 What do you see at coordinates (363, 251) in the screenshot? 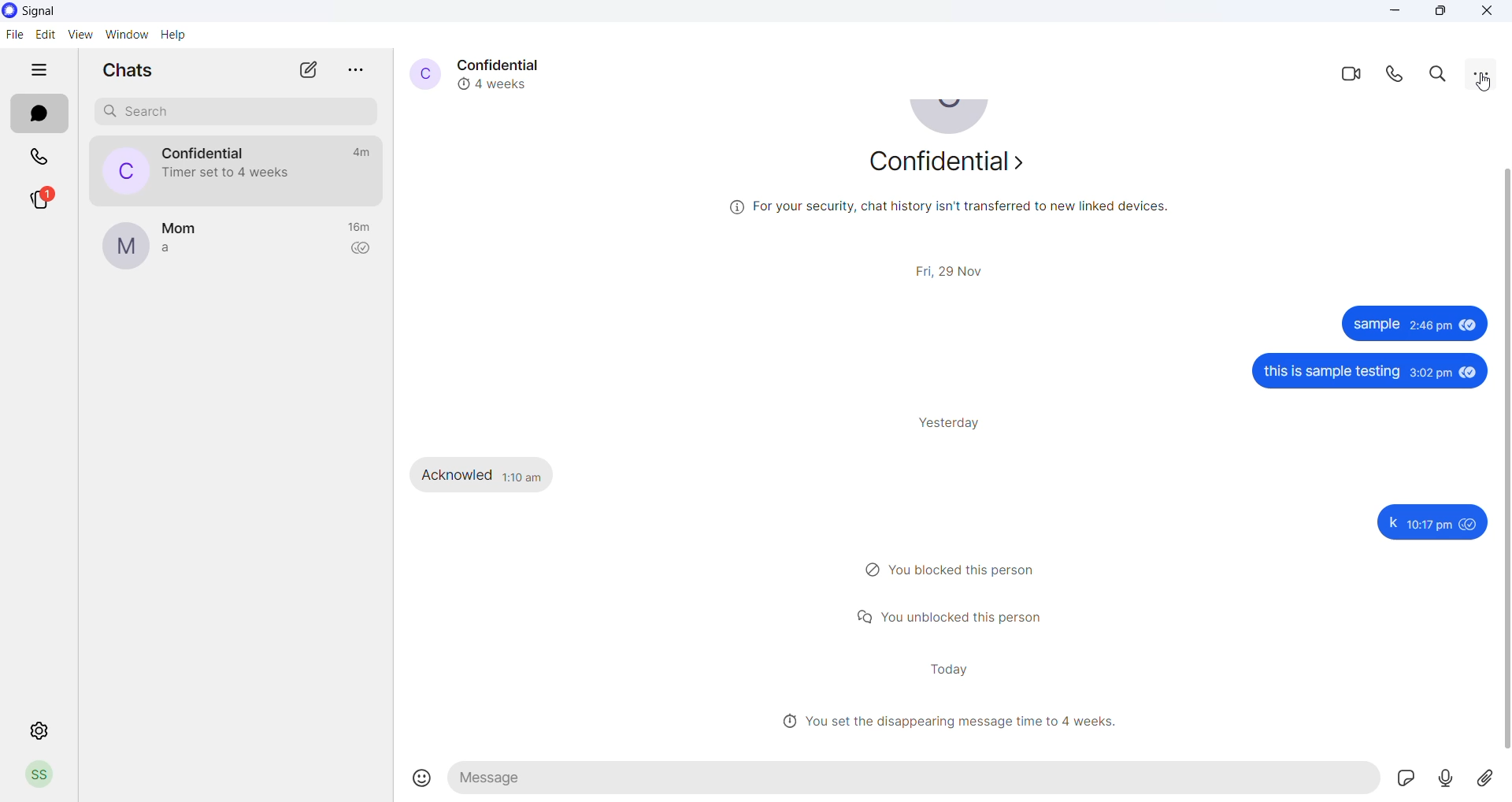
I see `read recipient` at bounding box center [363, 251].